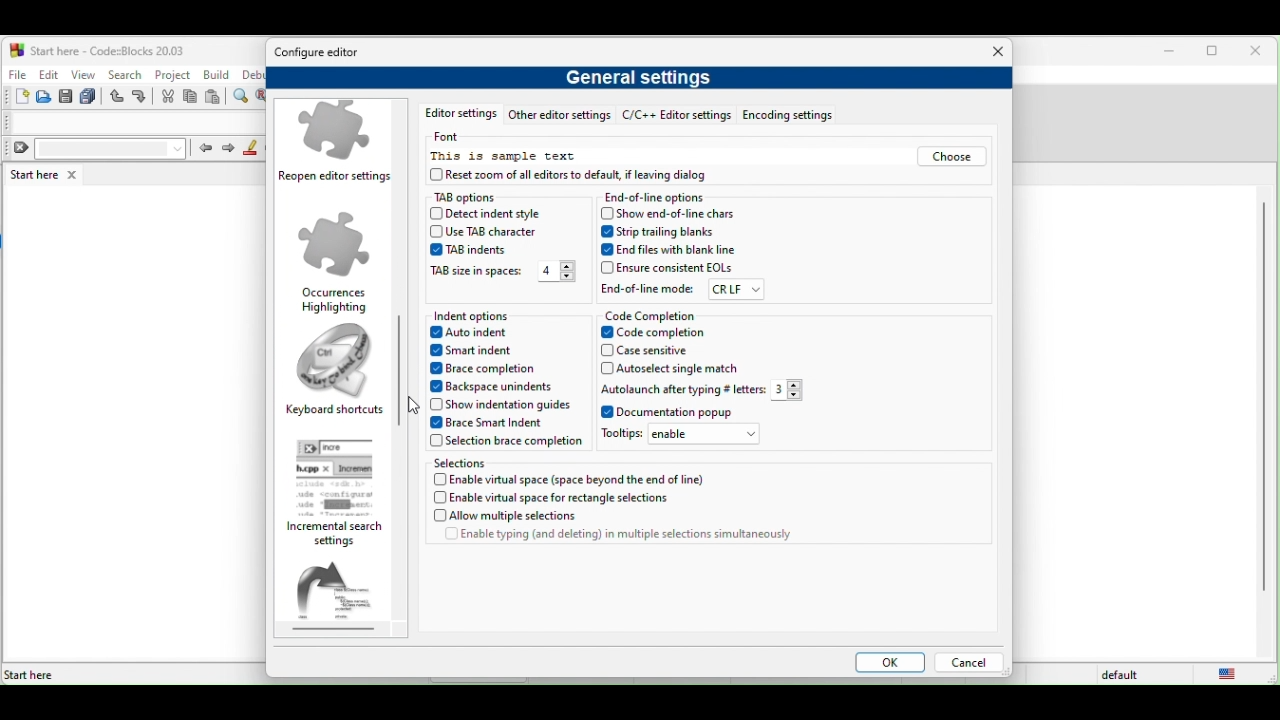 This screenshot has width=1280, height=720. What do you see at coordinates (218, 75) in the screenshot?
I see `build` at bounding box center [218, 75].